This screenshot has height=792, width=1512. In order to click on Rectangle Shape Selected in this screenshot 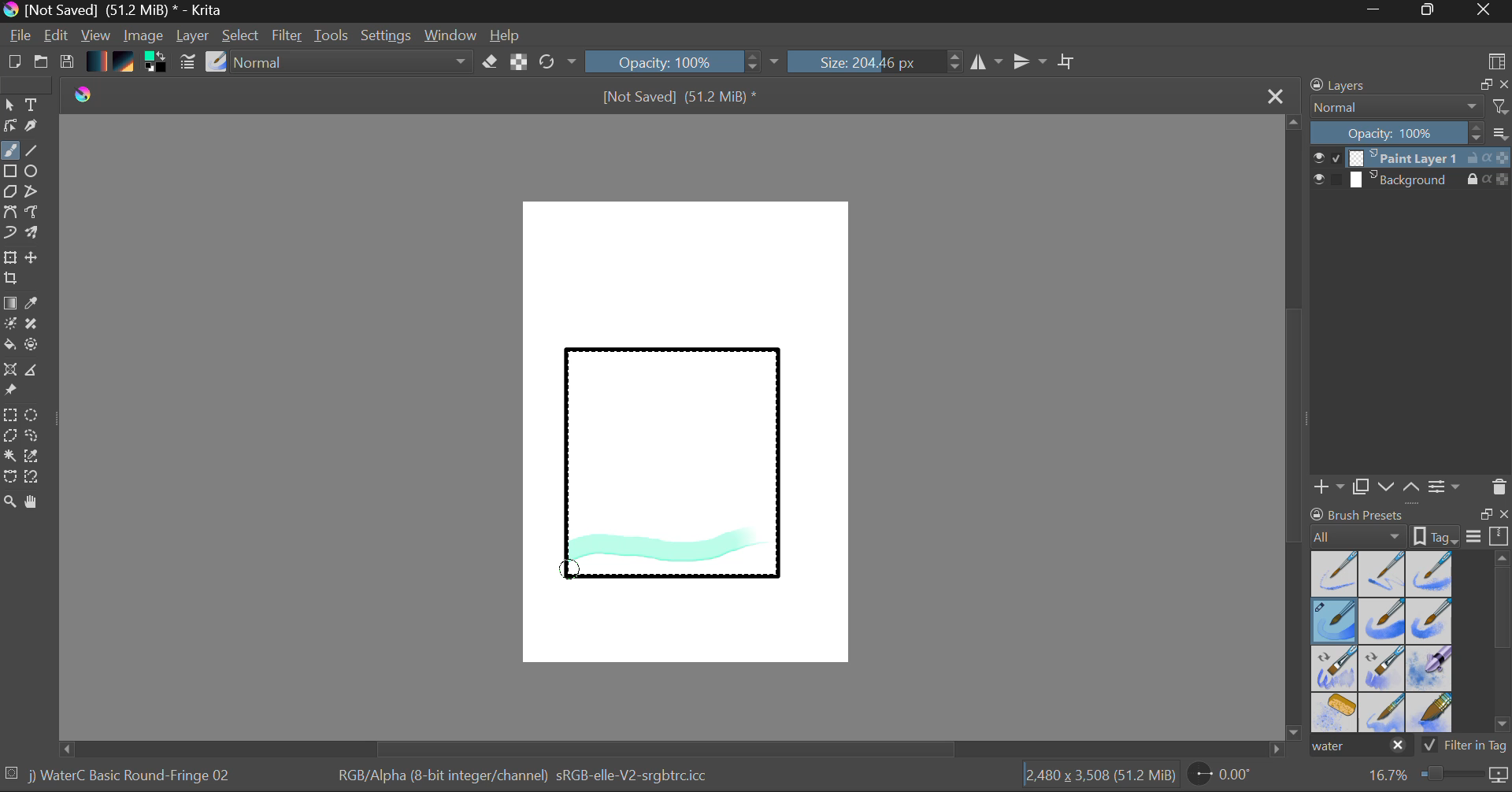, I will do `click(674, 479)`.